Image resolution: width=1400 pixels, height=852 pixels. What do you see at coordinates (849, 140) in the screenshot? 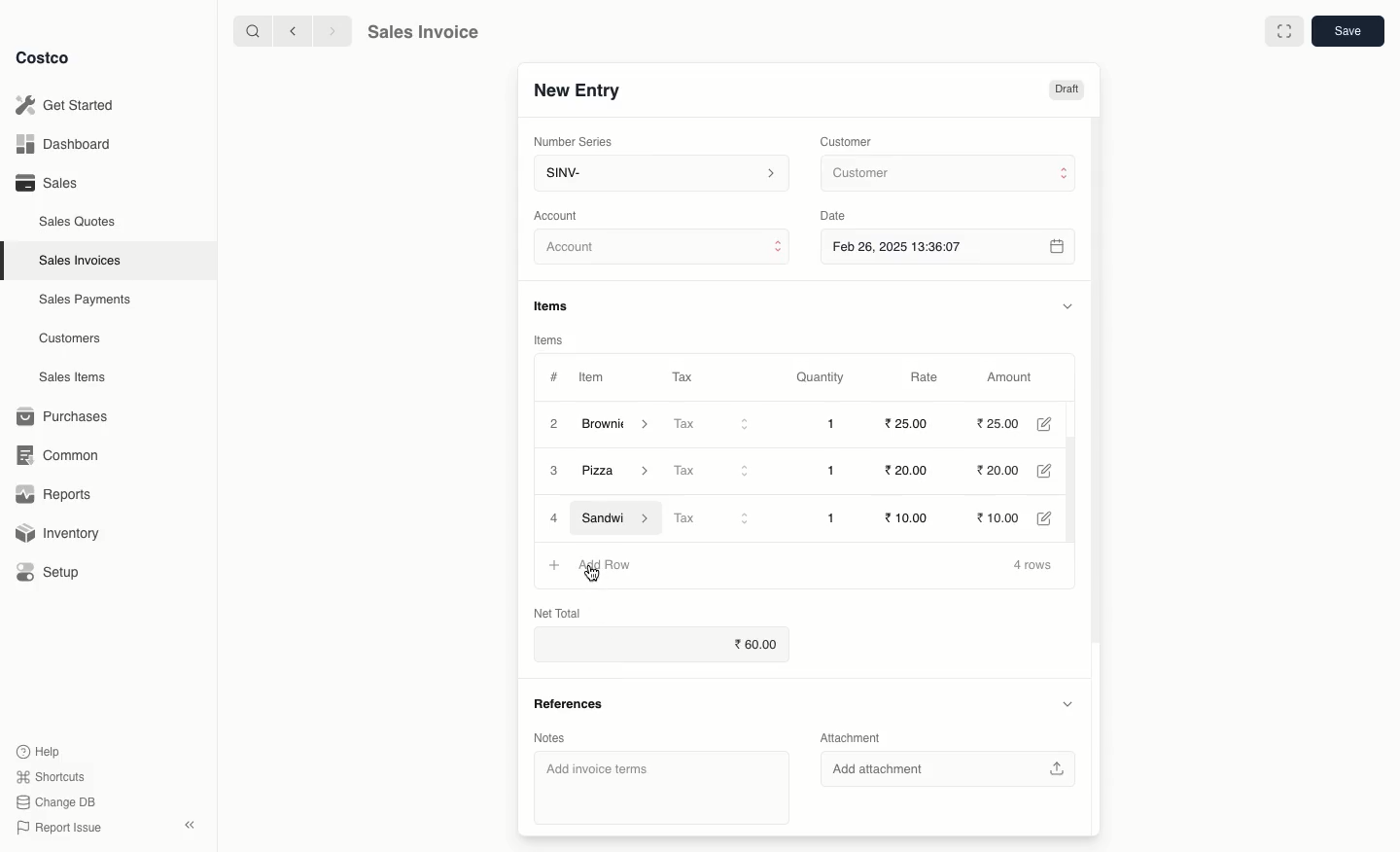
I see `Customer` at bounding box center [849, 140].